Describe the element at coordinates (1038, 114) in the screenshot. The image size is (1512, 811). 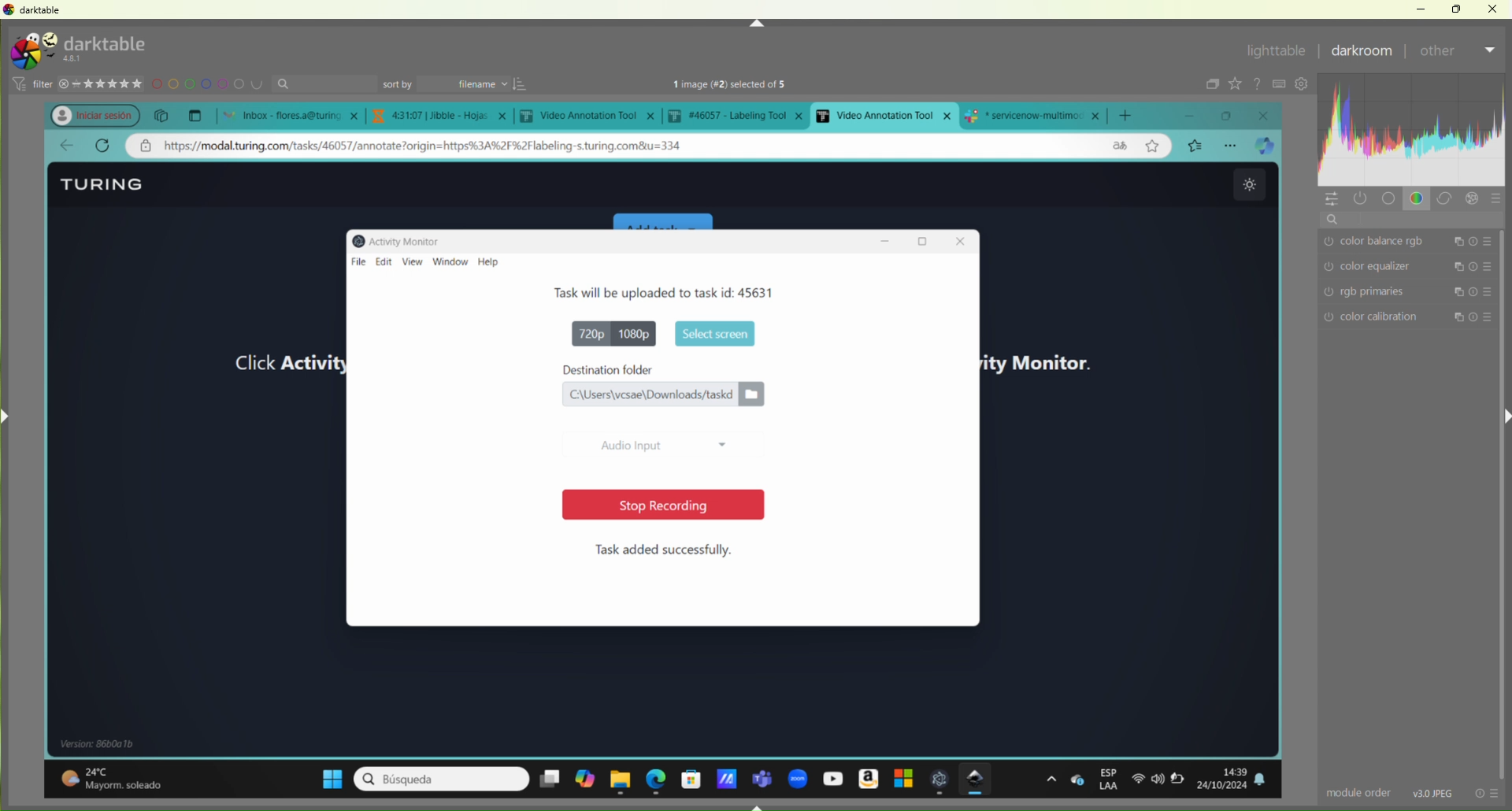
I see `tab` at that location.